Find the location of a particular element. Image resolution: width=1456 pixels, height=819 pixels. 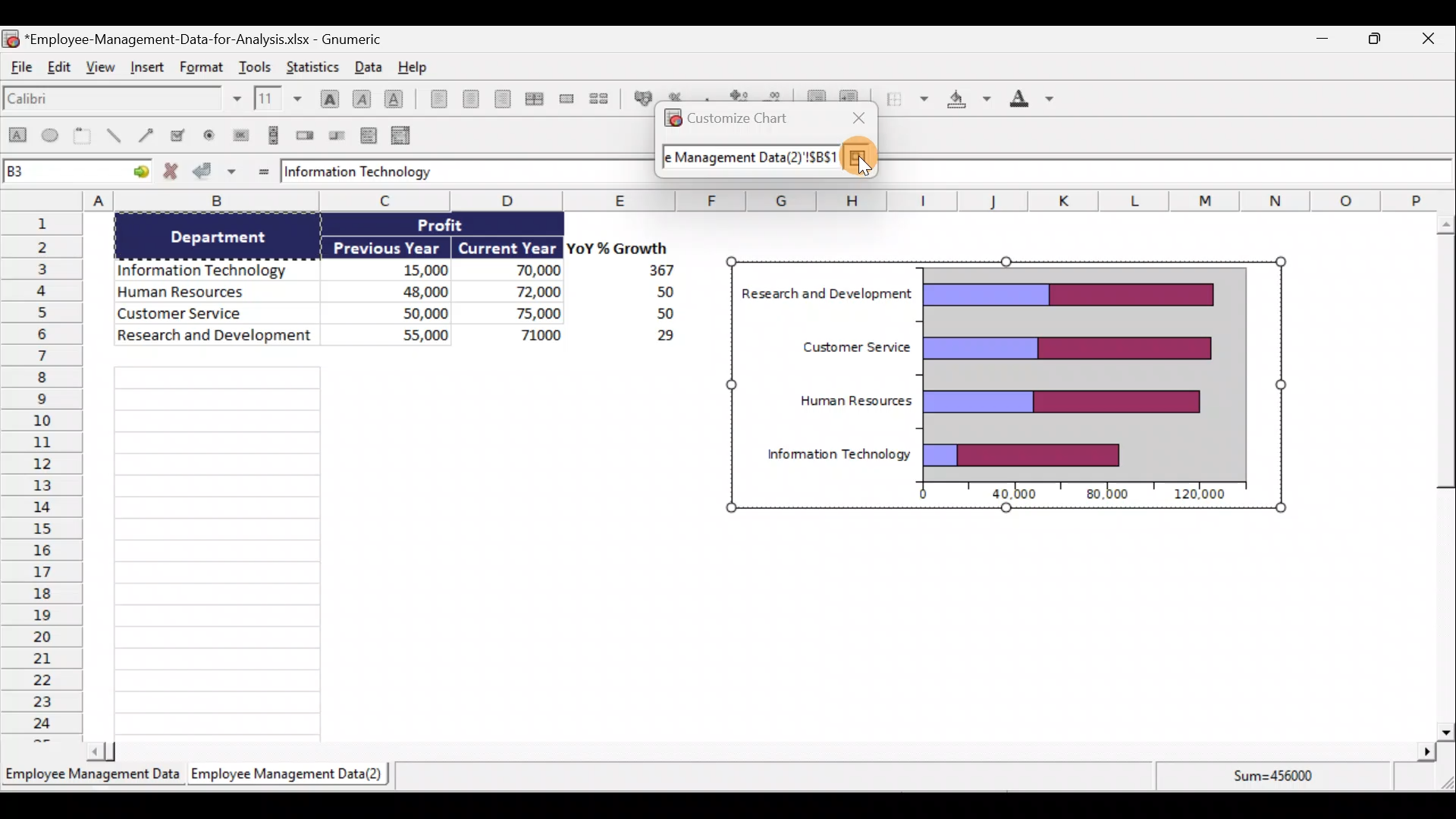

Close is located at coordinates (855, 117).